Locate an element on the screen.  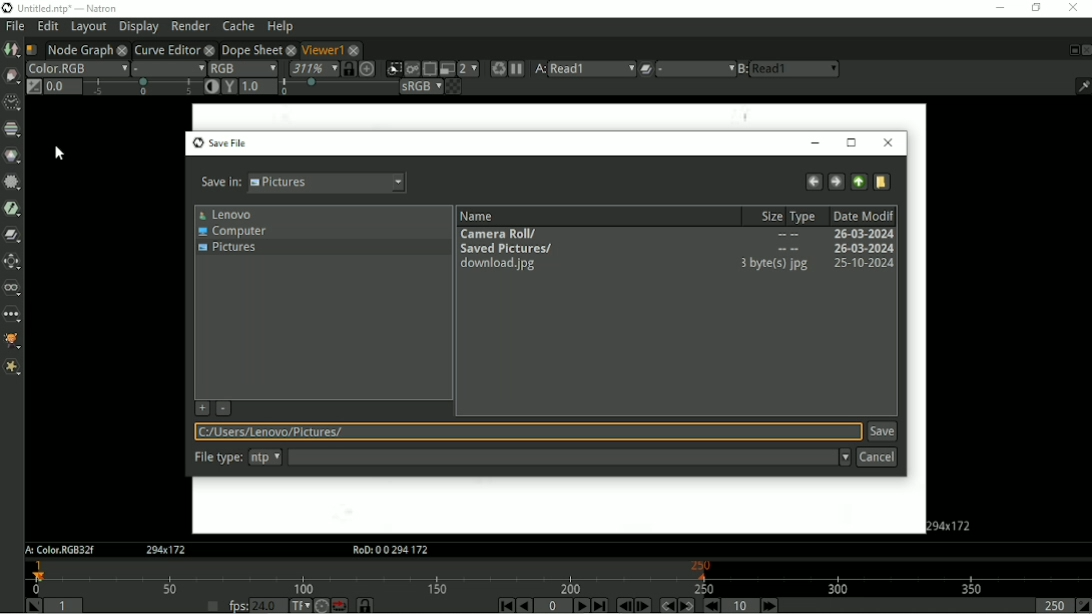
1.0 is located at coordinates (258, 86).